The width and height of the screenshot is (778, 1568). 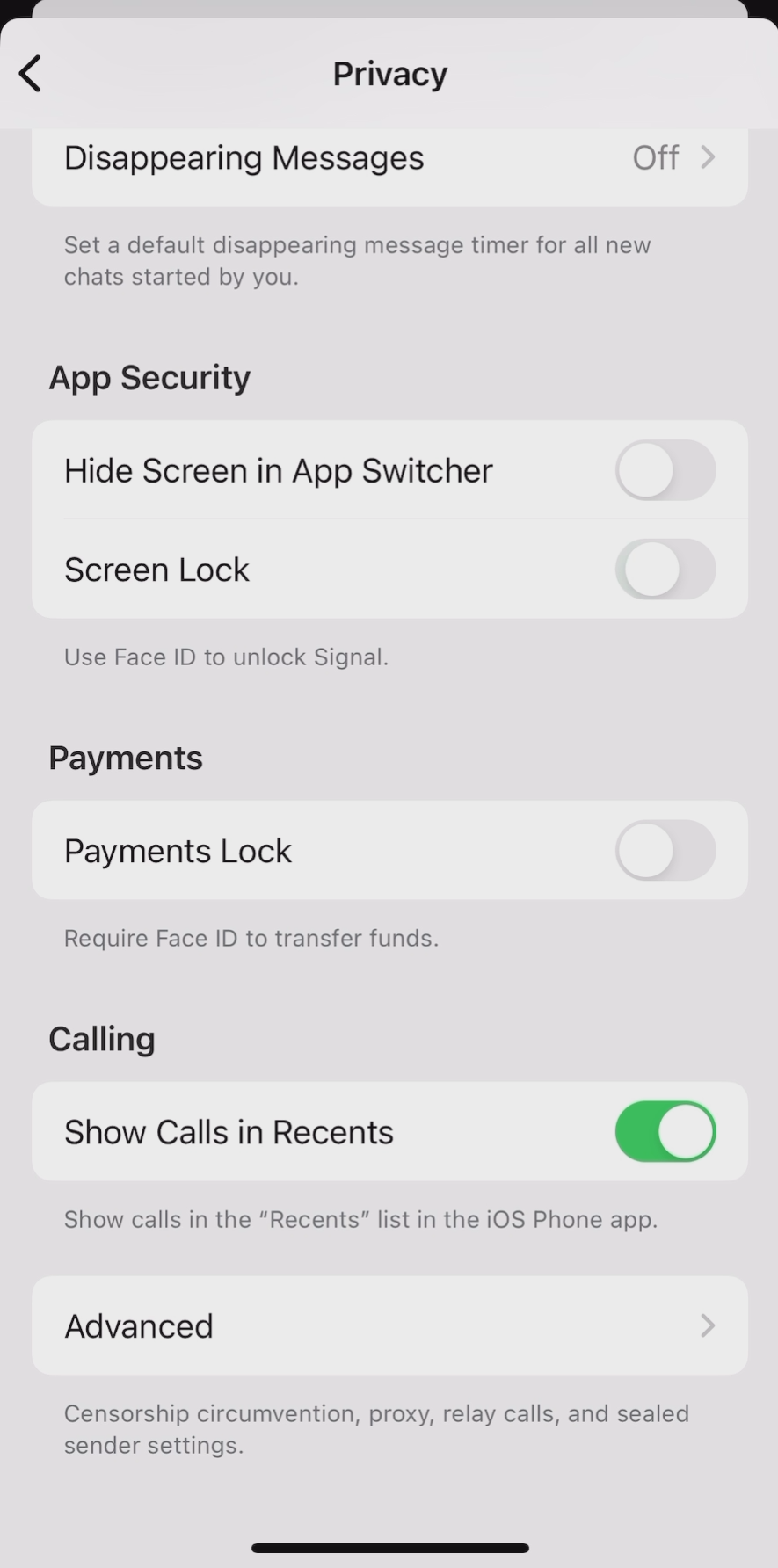 What do you see at coordinates (103, 1041) in the screenshot?
I see `calling` at bounding box center [103, 1041].